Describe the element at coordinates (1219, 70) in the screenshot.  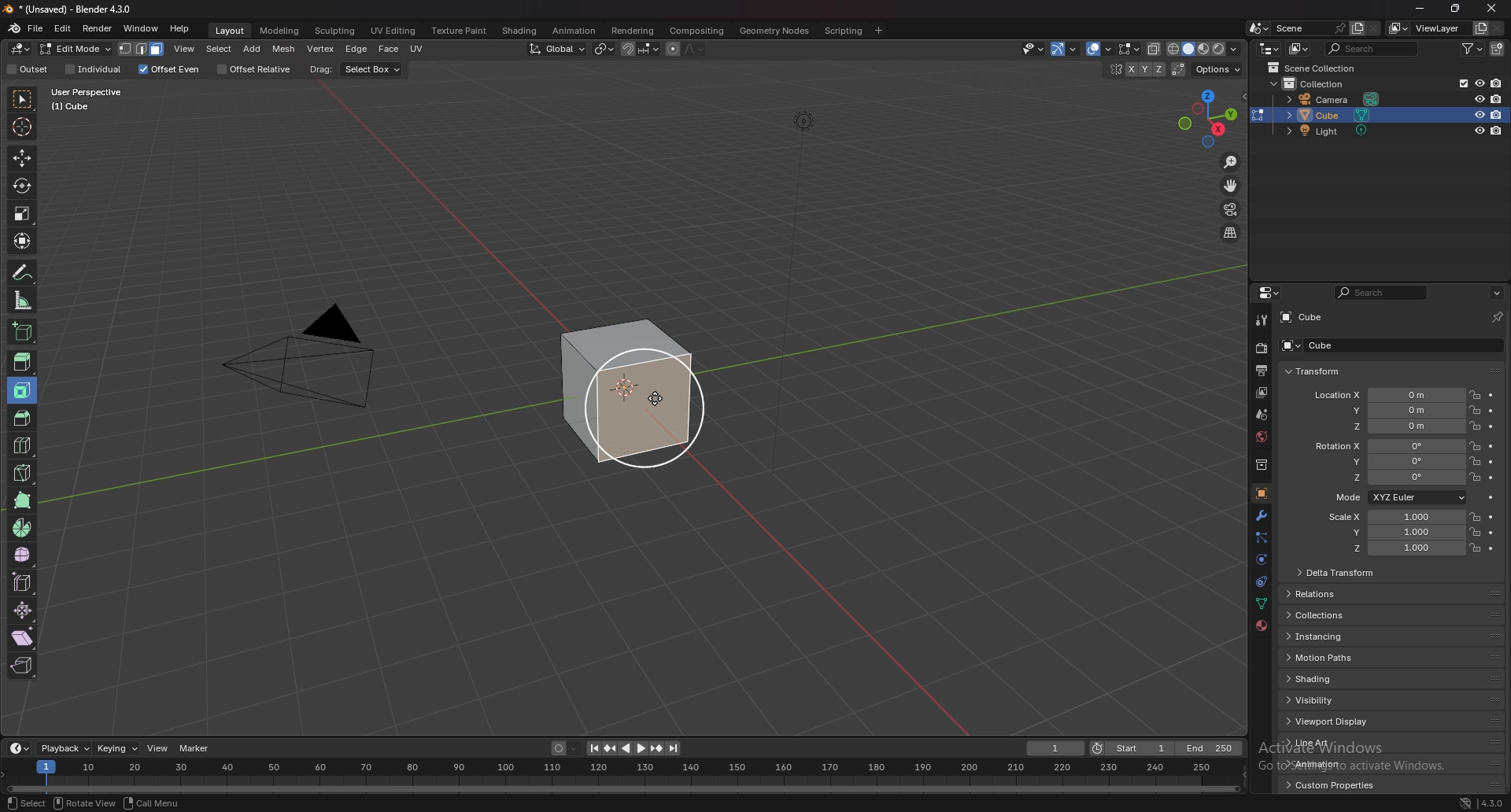
I see `options` at that location.